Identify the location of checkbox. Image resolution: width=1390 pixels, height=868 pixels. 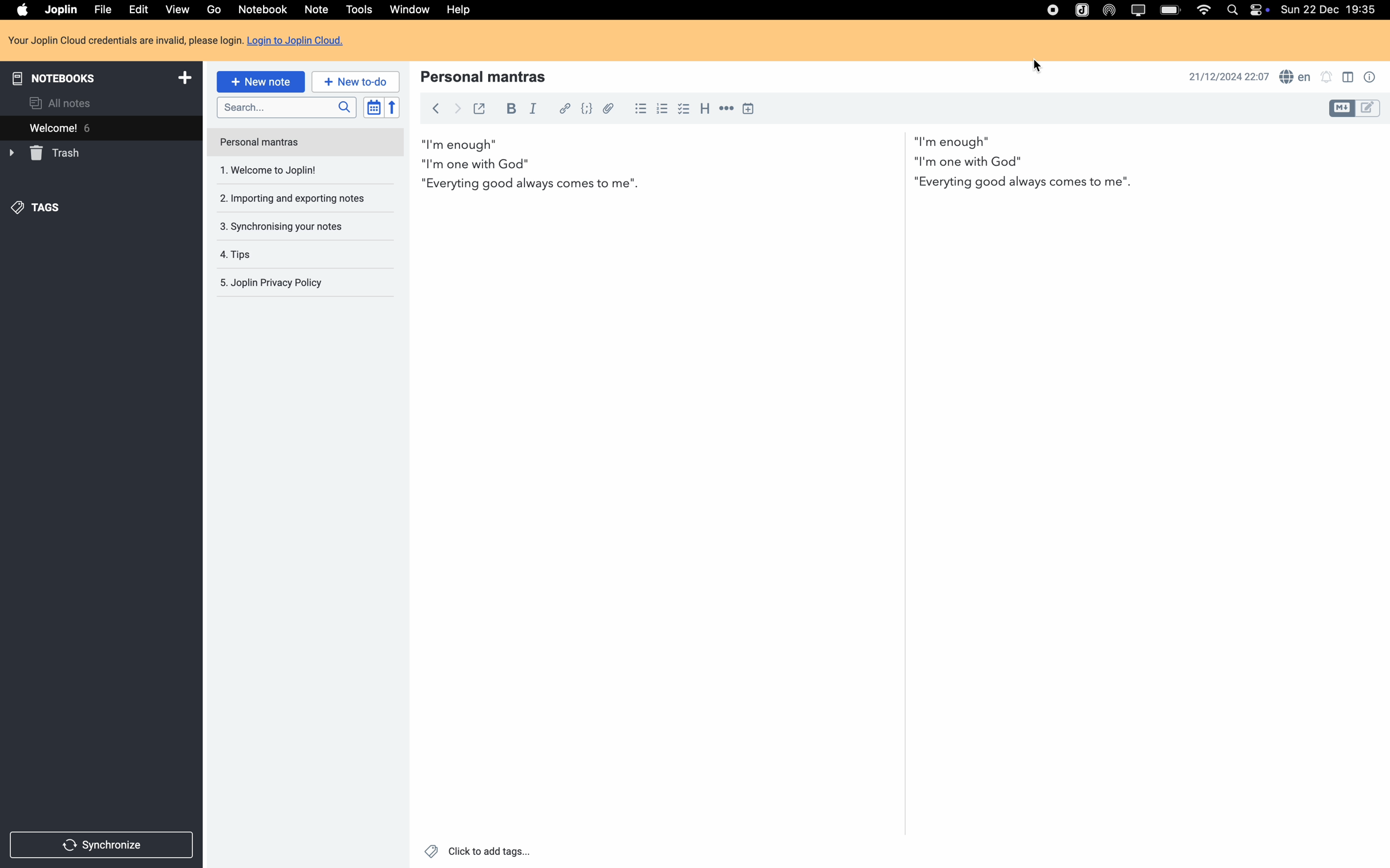
(683, 110).